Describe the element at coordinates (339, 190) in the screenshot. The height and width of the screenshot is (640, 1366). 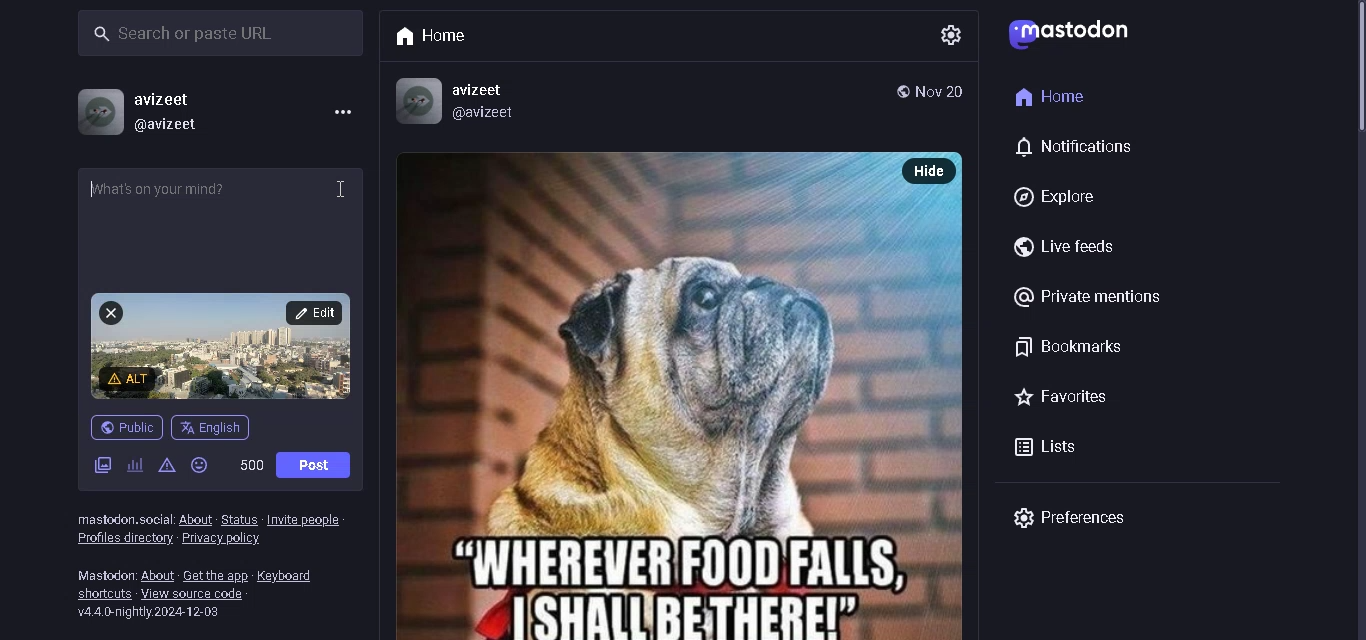
I see `Cursor` at that location.